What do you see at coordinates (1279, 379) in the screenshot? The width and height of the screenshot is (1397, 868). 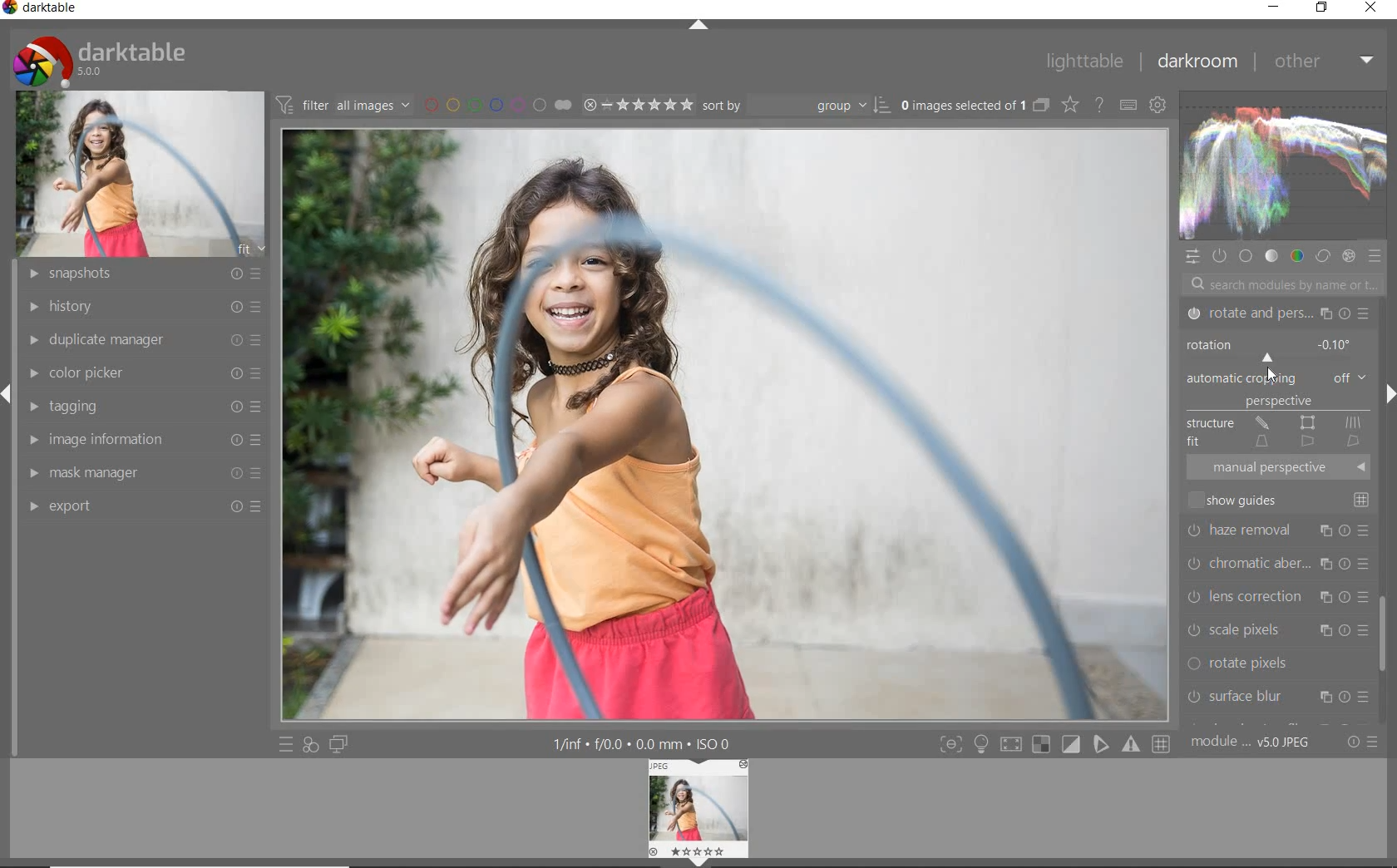 I see `AUTOMATIC CROPPING` at bounding box center [1279, 379].